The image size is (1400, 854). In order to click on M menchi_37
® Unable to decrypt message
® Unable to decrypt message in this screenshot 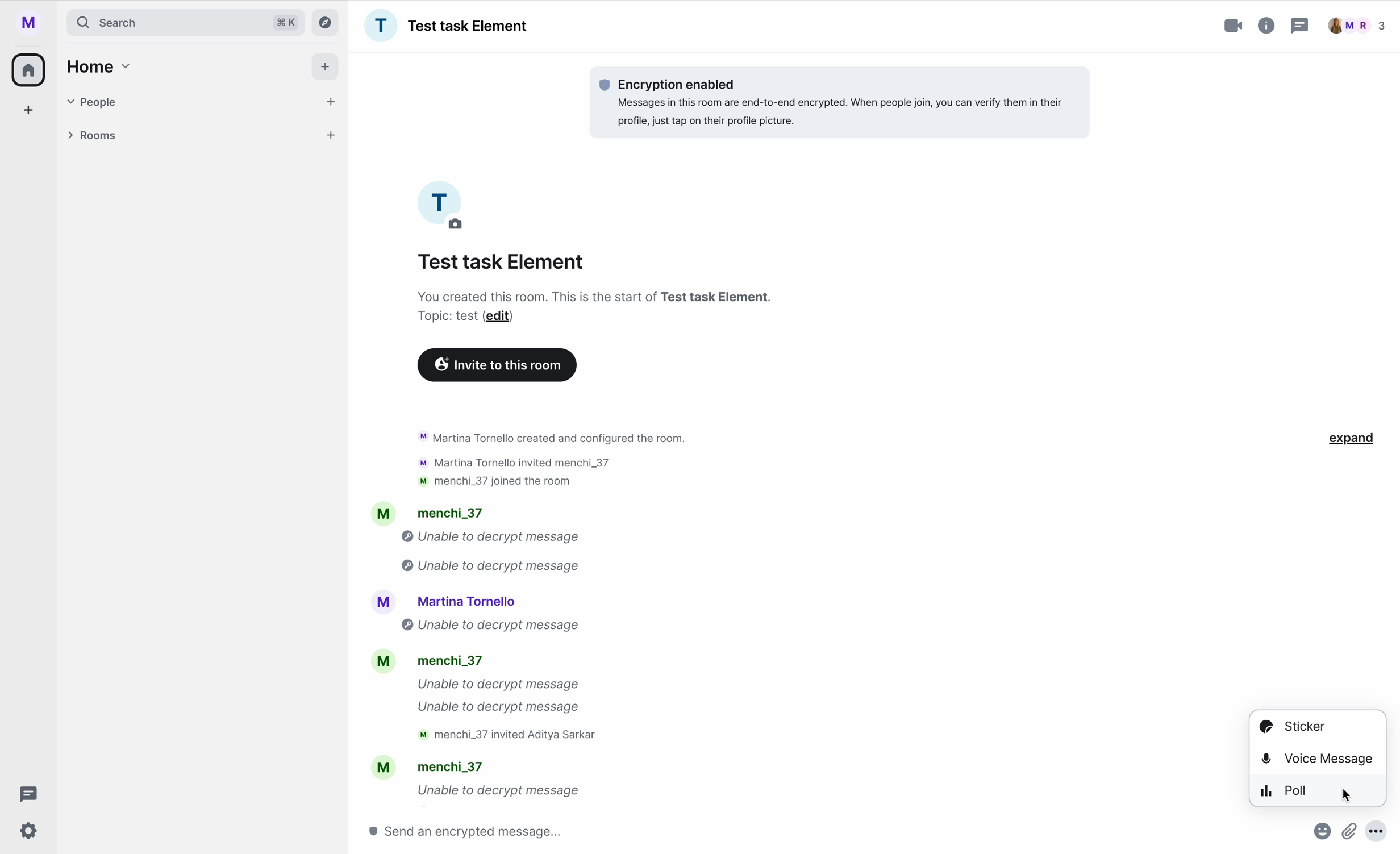, I will do `click(467, 537)`.